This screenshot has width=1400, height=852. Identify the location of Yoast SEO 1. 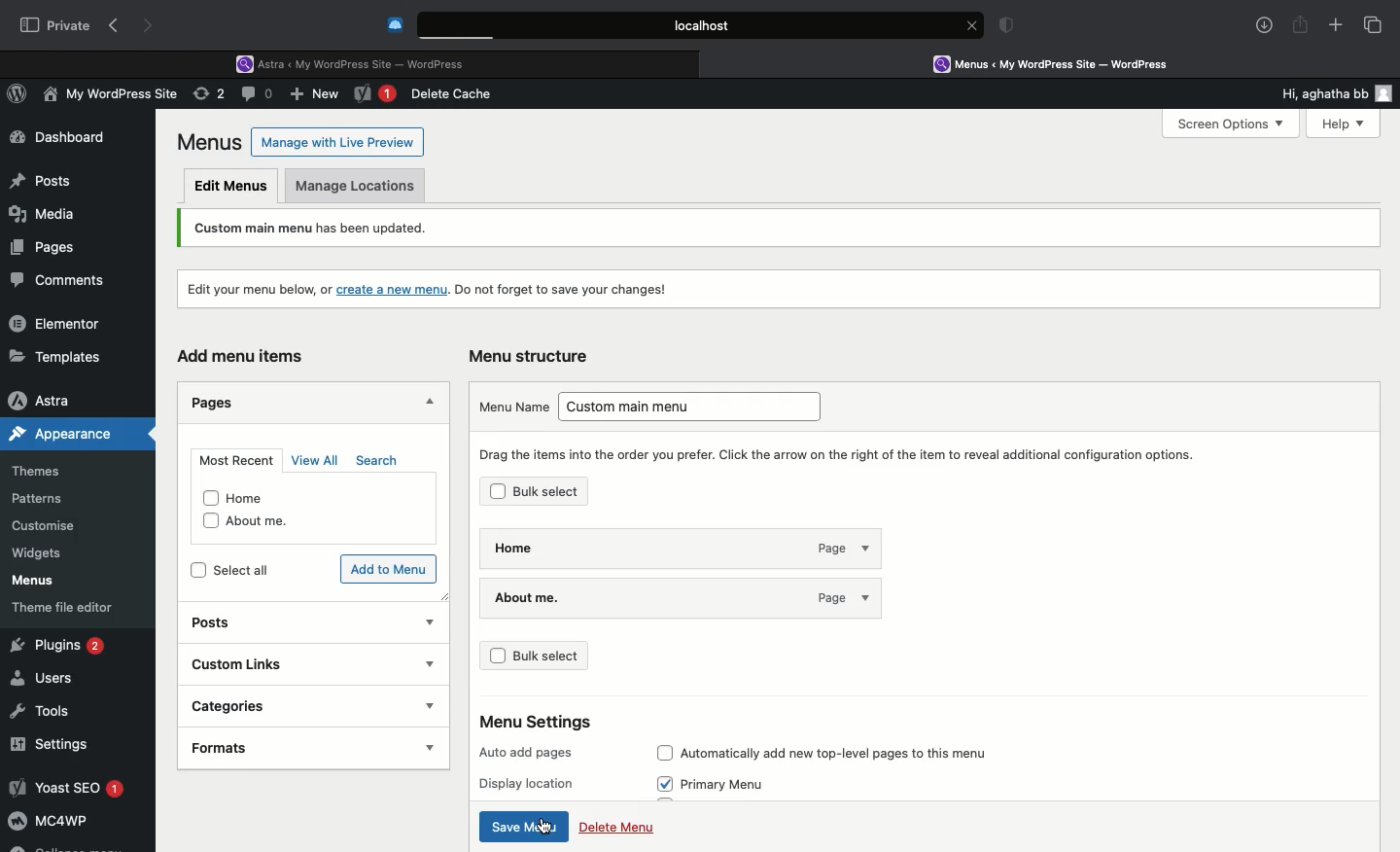
(65, 787).